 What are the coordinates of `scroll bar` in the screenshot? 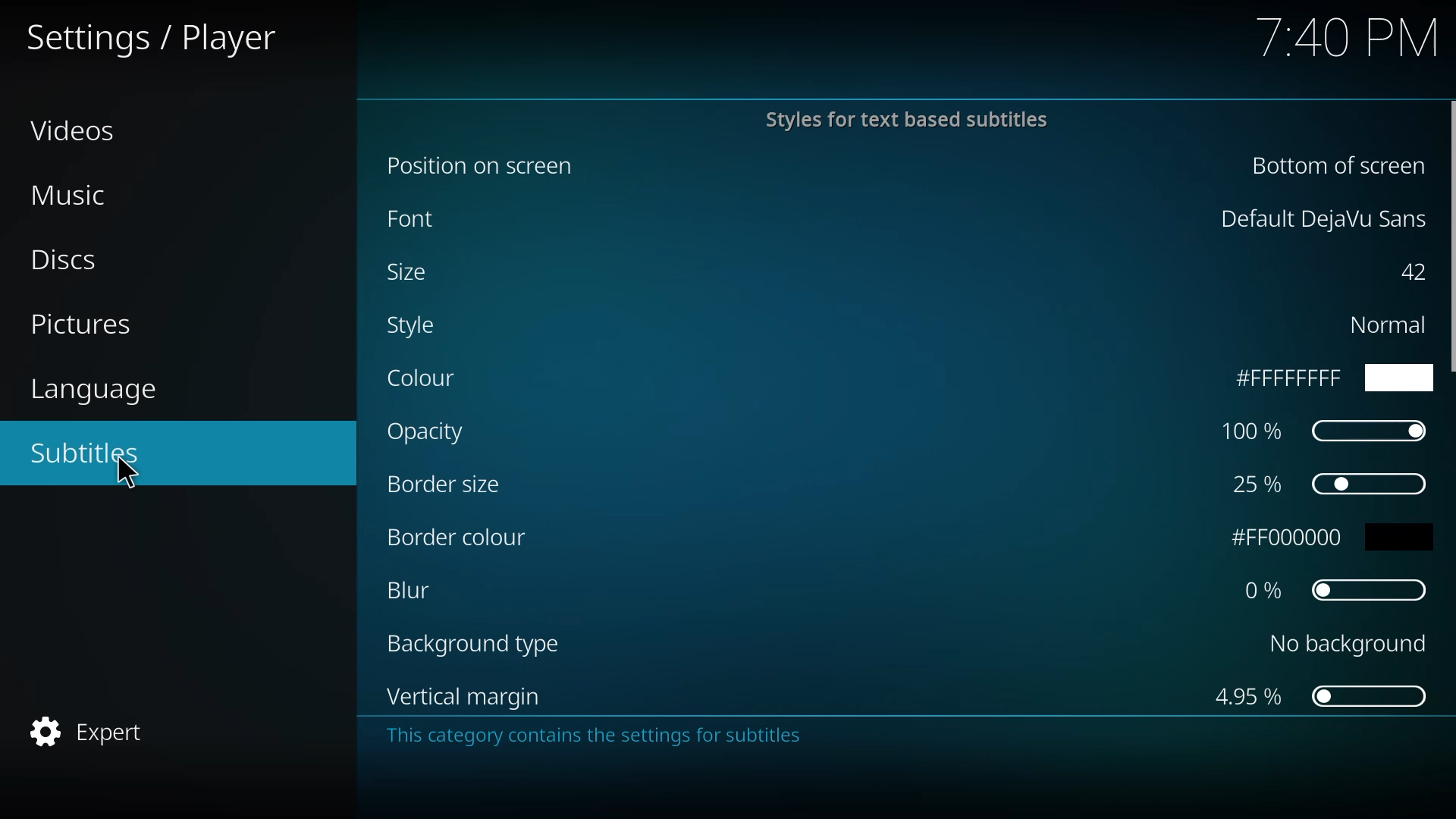 It's located at (1453, 240).